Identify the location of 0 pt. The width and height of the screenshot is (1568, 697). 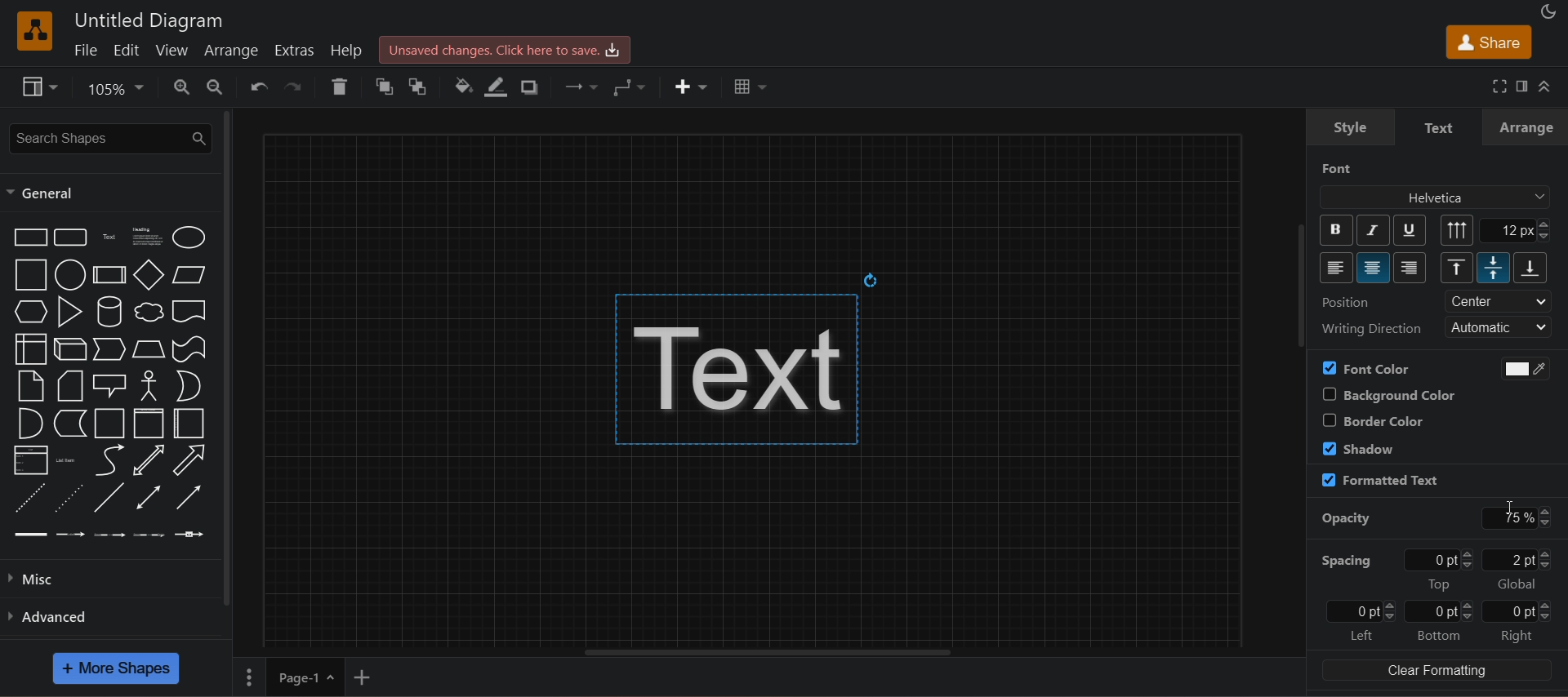
(1439, 612).